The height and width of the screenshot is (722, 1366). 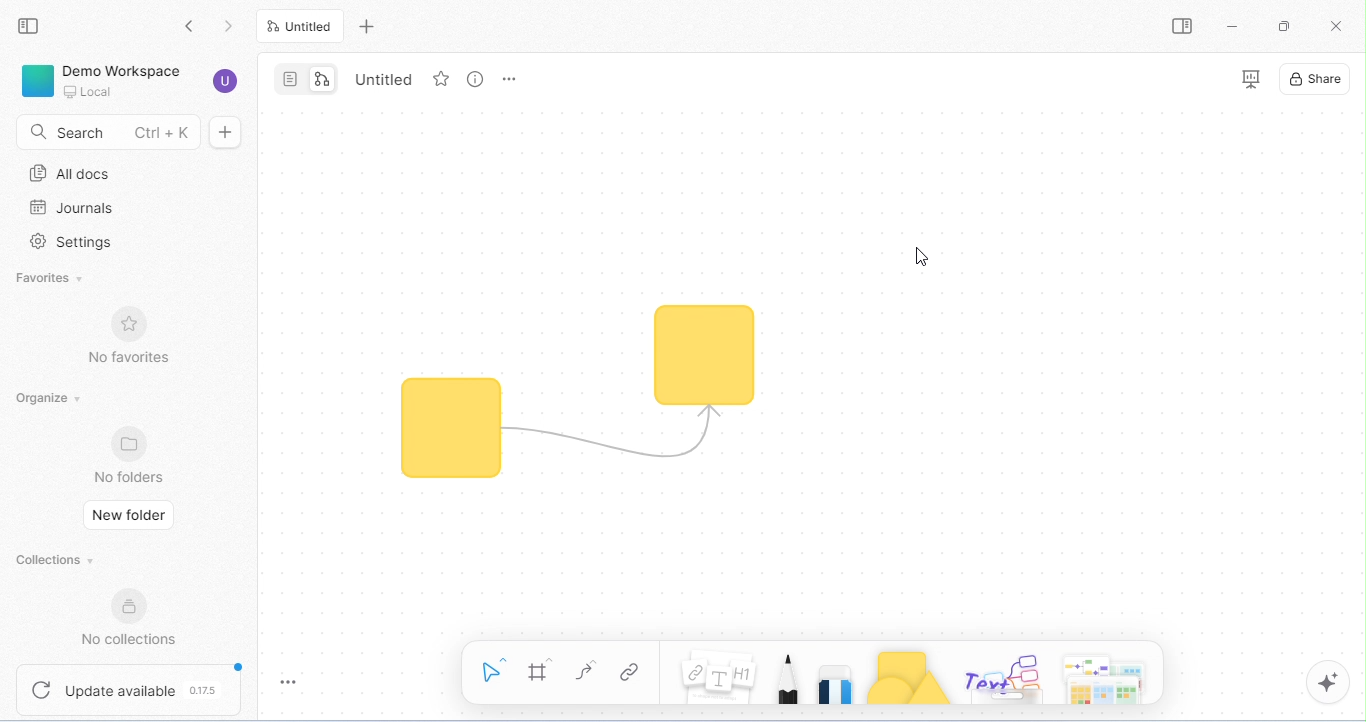 What do you see at coordinates (476, 79) in the screenshot?
I see `view info` at bounding box center [476, 79].